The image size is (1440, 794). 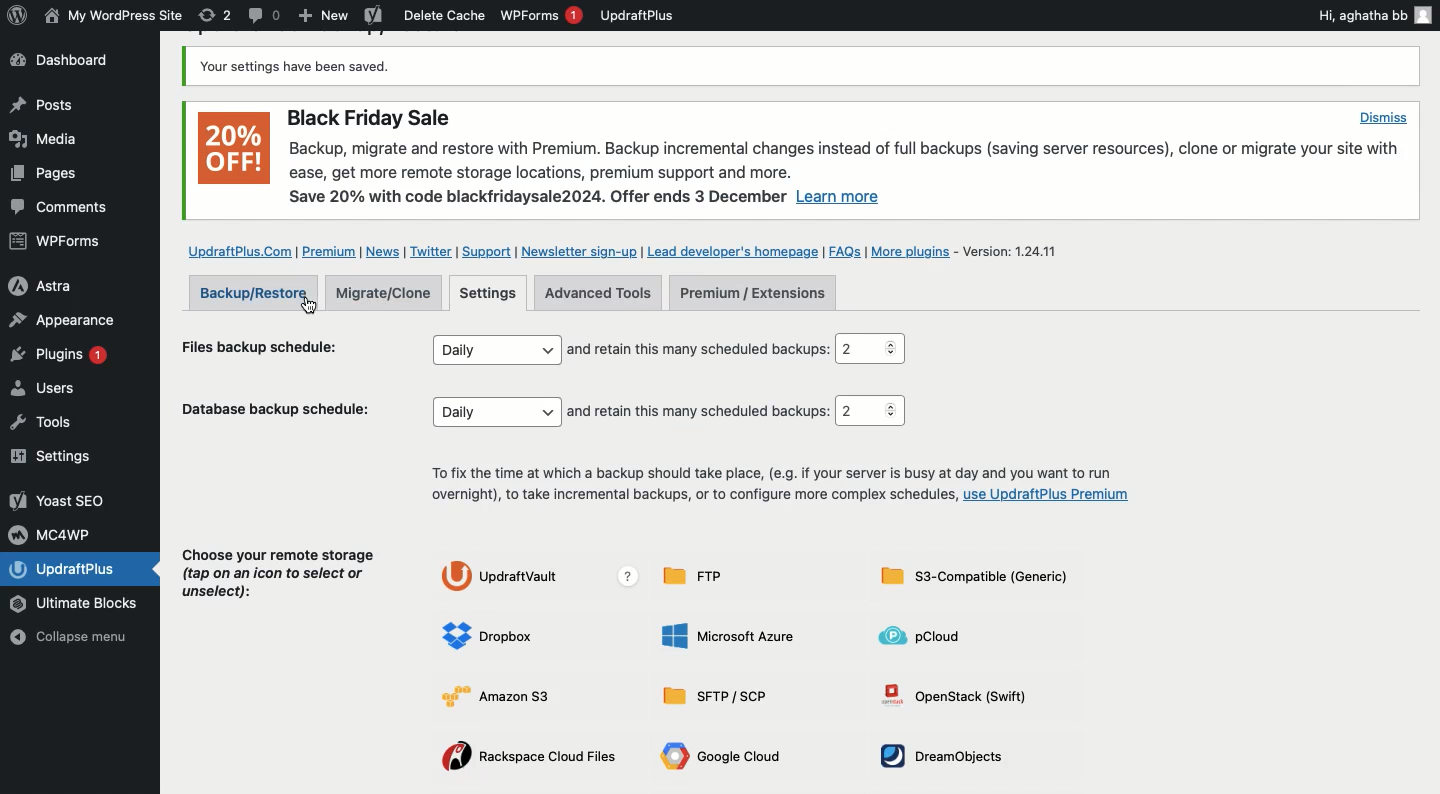 I want to click on 20% OFF, so click(x=235, y=148).